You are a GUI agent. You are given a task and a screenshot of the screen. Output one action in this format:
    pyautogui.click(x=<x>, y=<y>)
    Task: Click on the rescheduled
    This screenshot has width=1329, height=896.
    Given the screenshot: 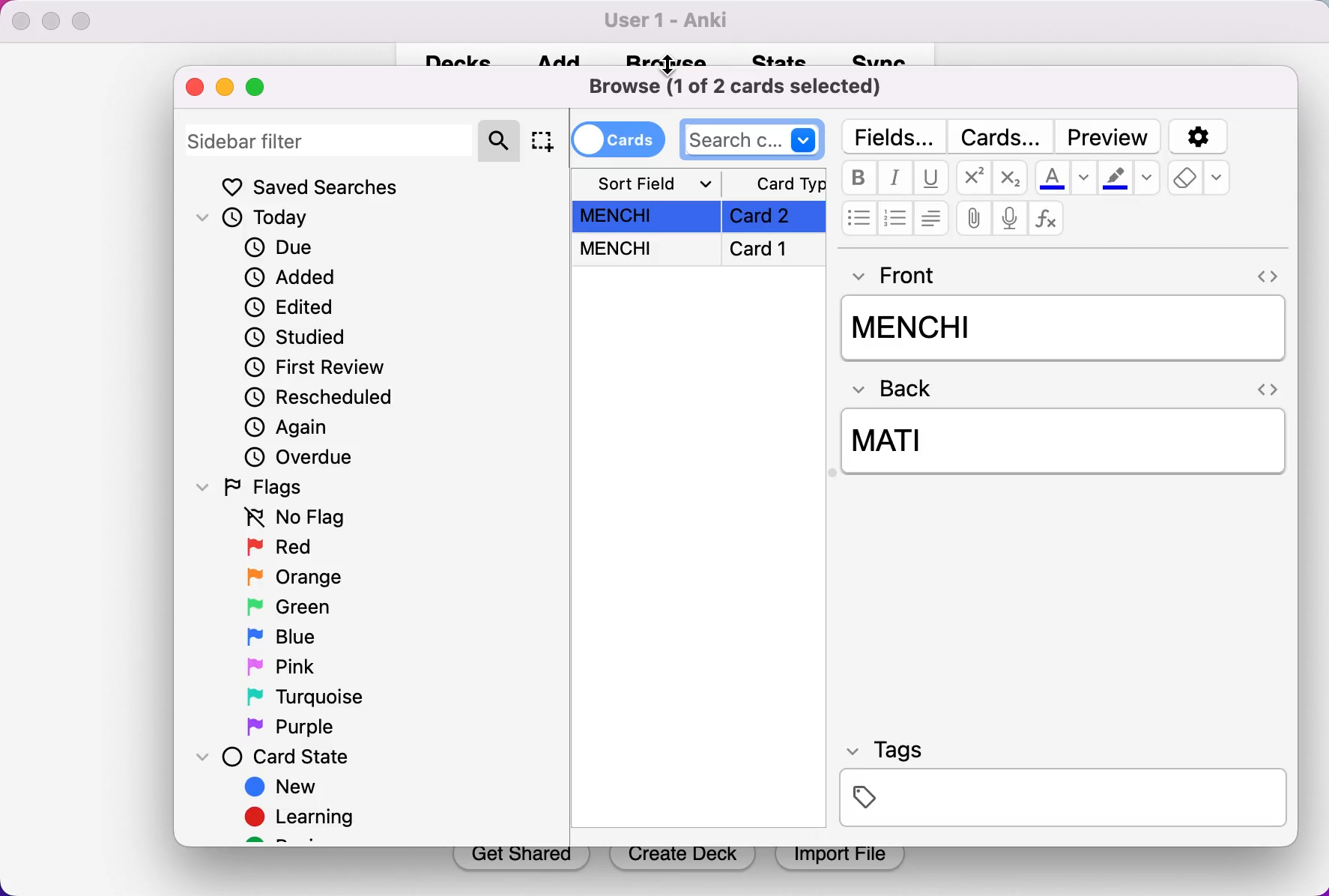 What is the action you would take?
    pyautogui.click(x=330, y=399)
    